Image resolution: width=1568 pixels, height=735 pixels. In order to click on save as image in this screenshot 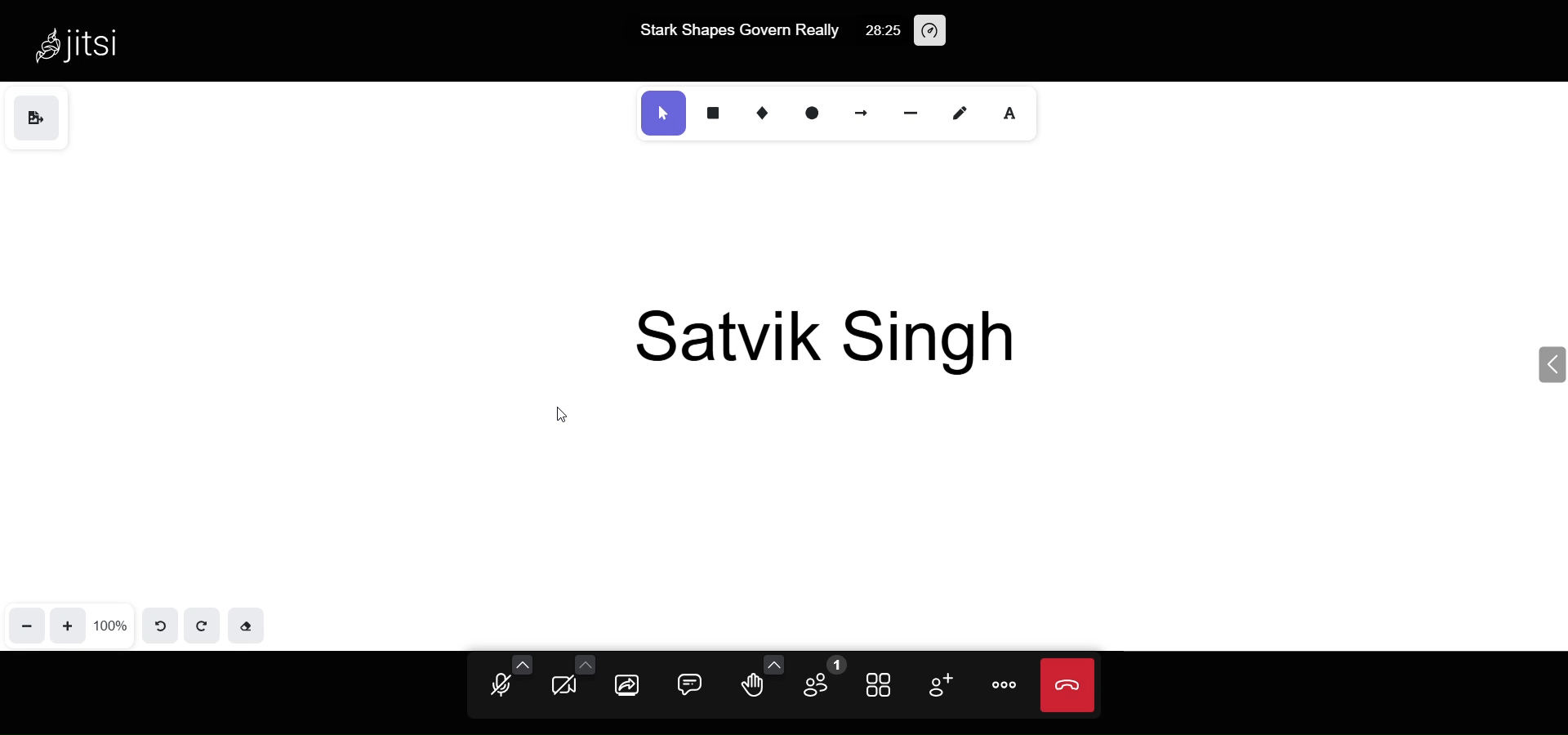, I will do `click(35, 118)`.